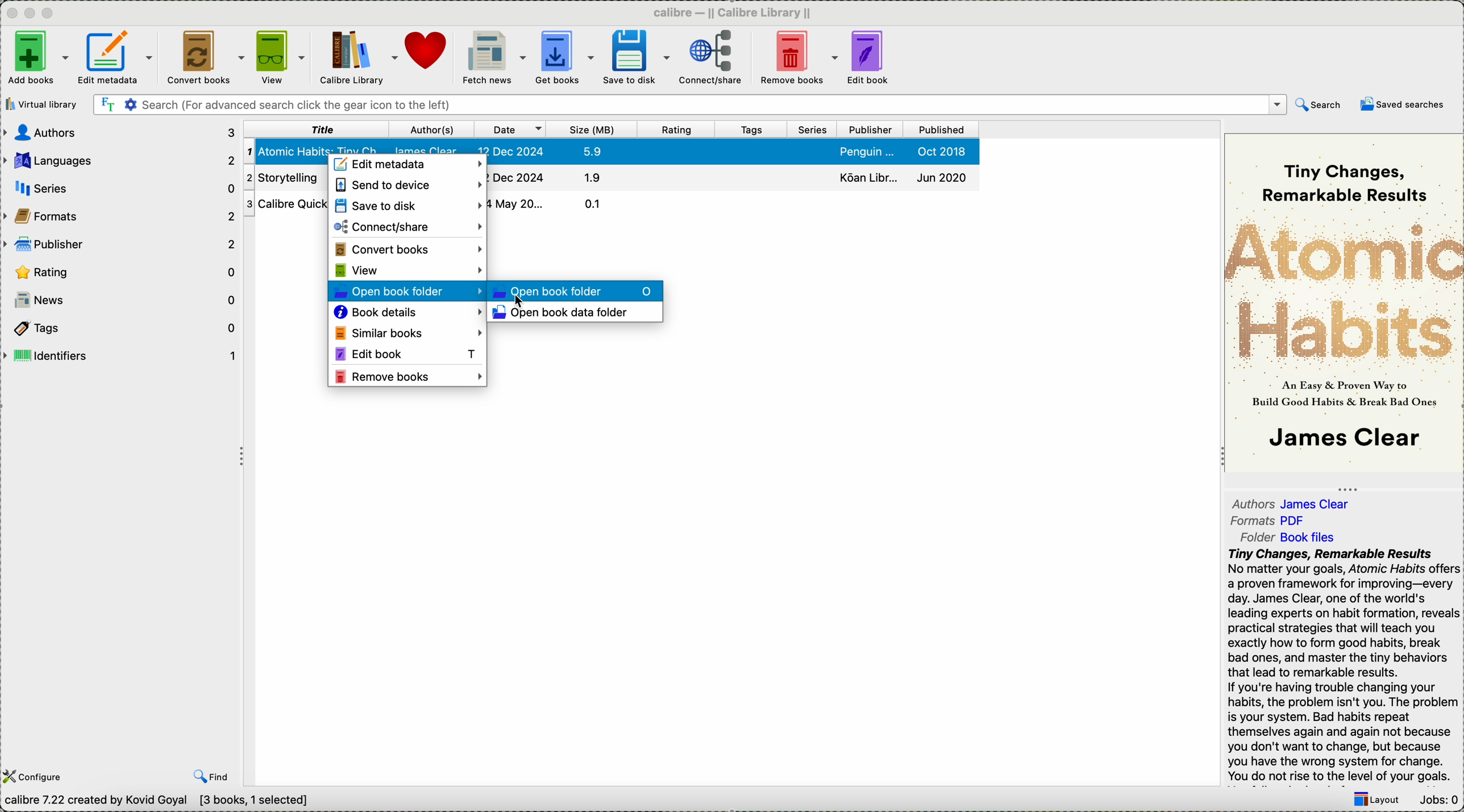 The width and height of the screenshot is (1464, 812). Describe the element at coordinates (405, 353) in the screenshot. I see `edit book` at that location.